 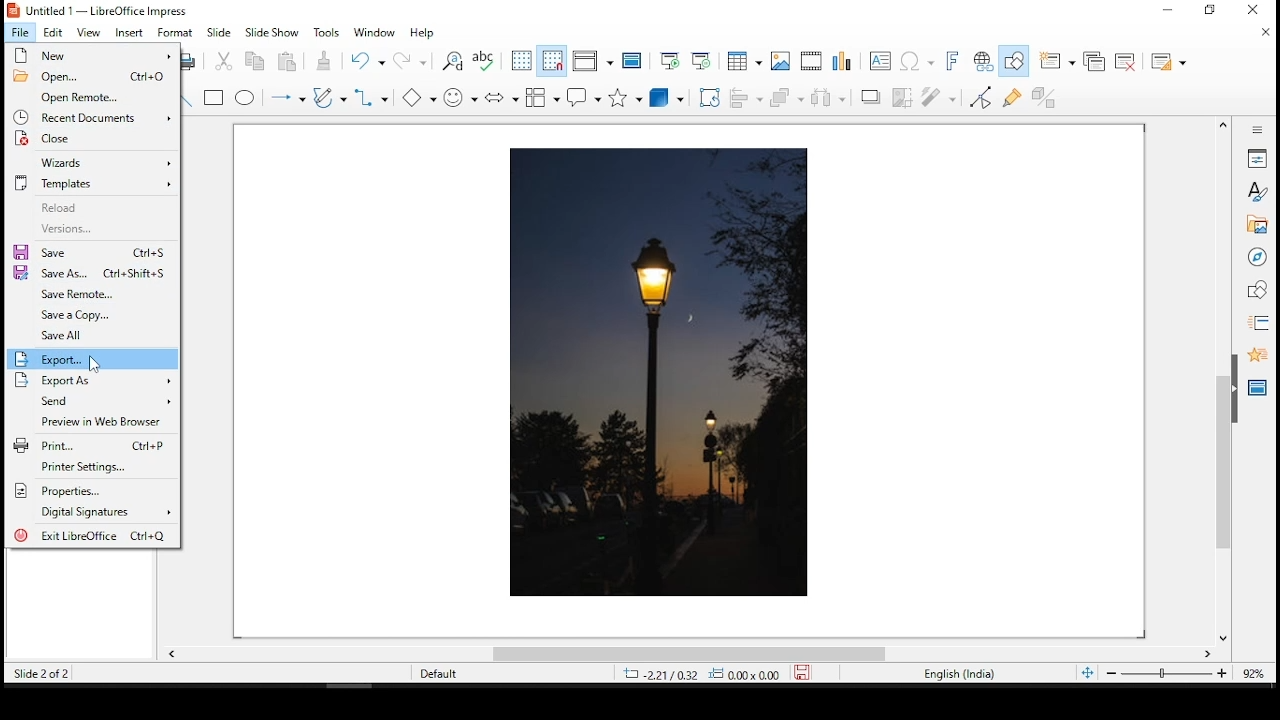 What do you see at coordinates (95, 514) in the screenshot?
I see `digital signatures` at bounding box center [95, 514].